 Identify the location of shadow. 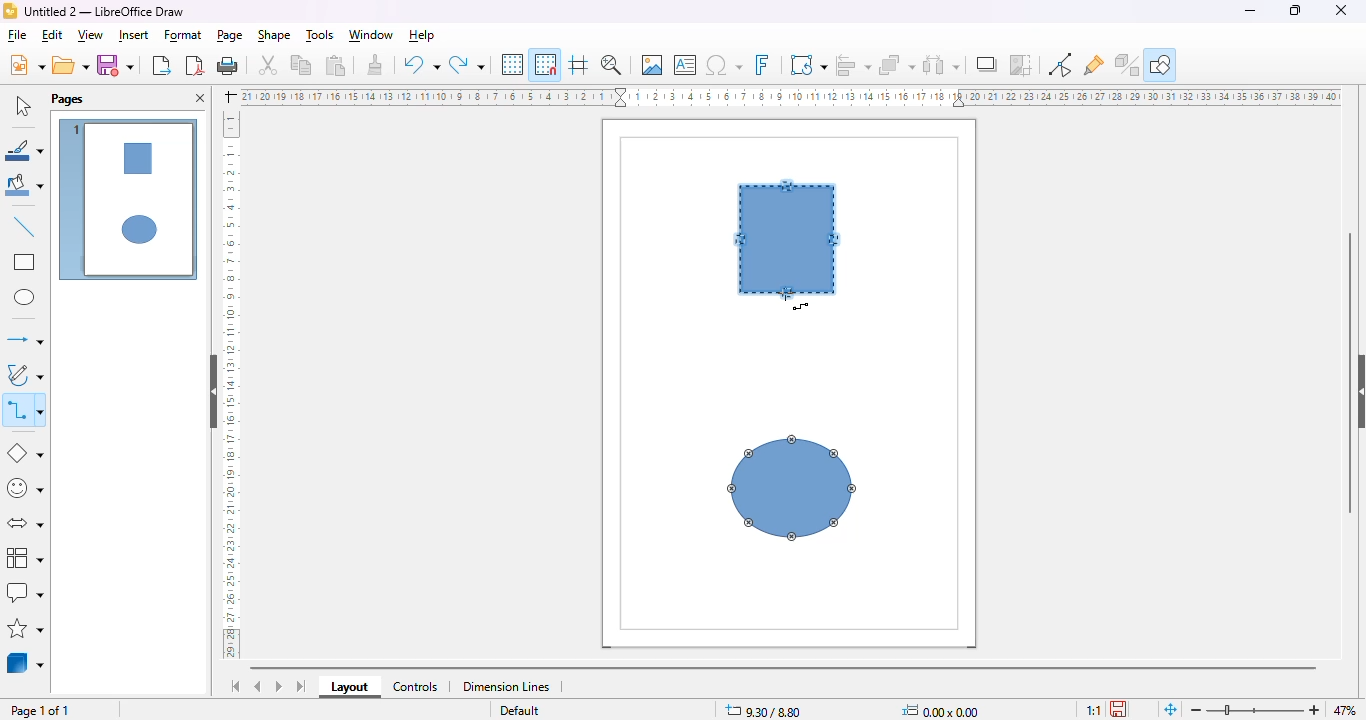
(988, 65).